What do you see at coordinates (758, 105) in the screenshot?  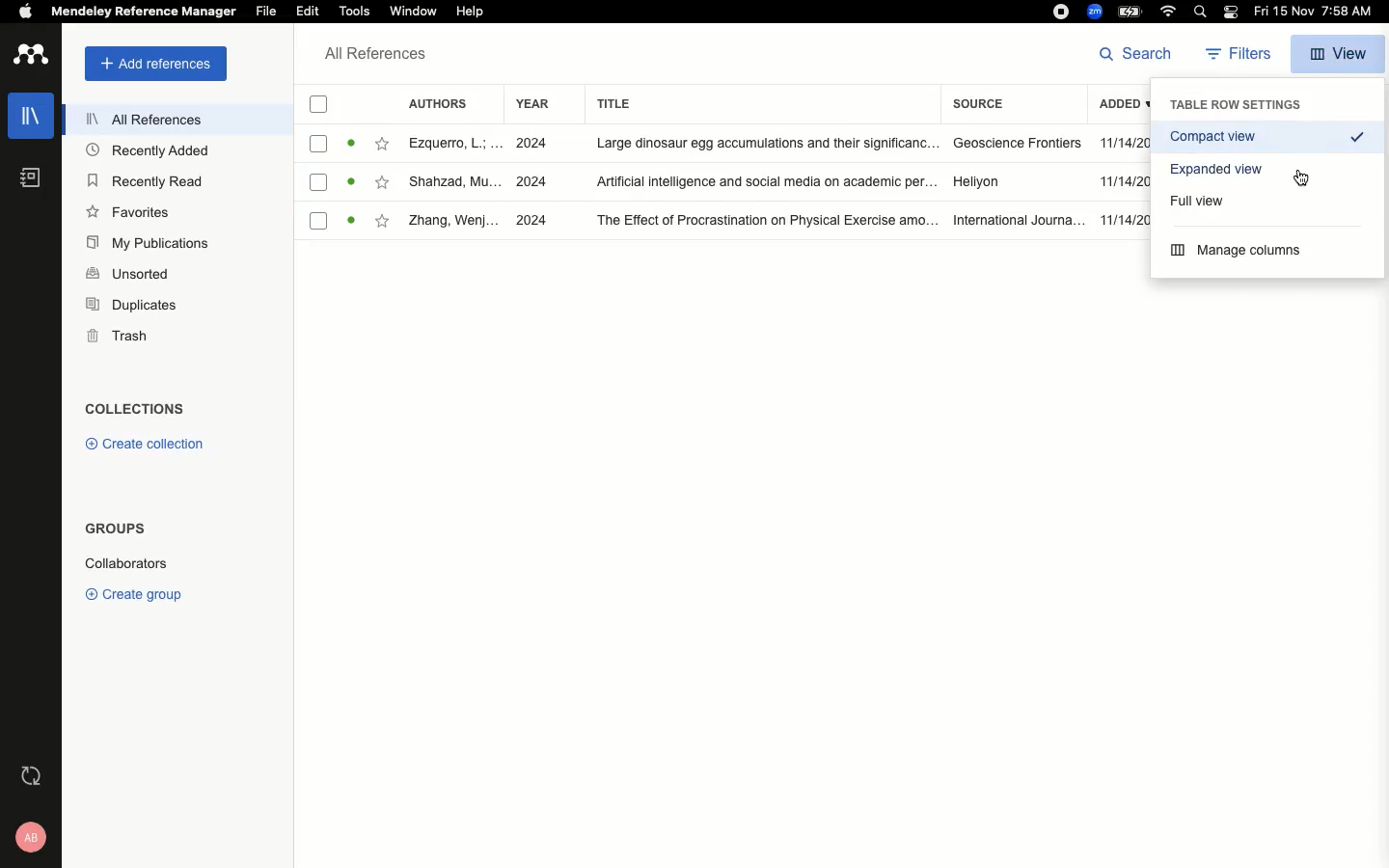 I see `Title` at bounding box center [758, 105].